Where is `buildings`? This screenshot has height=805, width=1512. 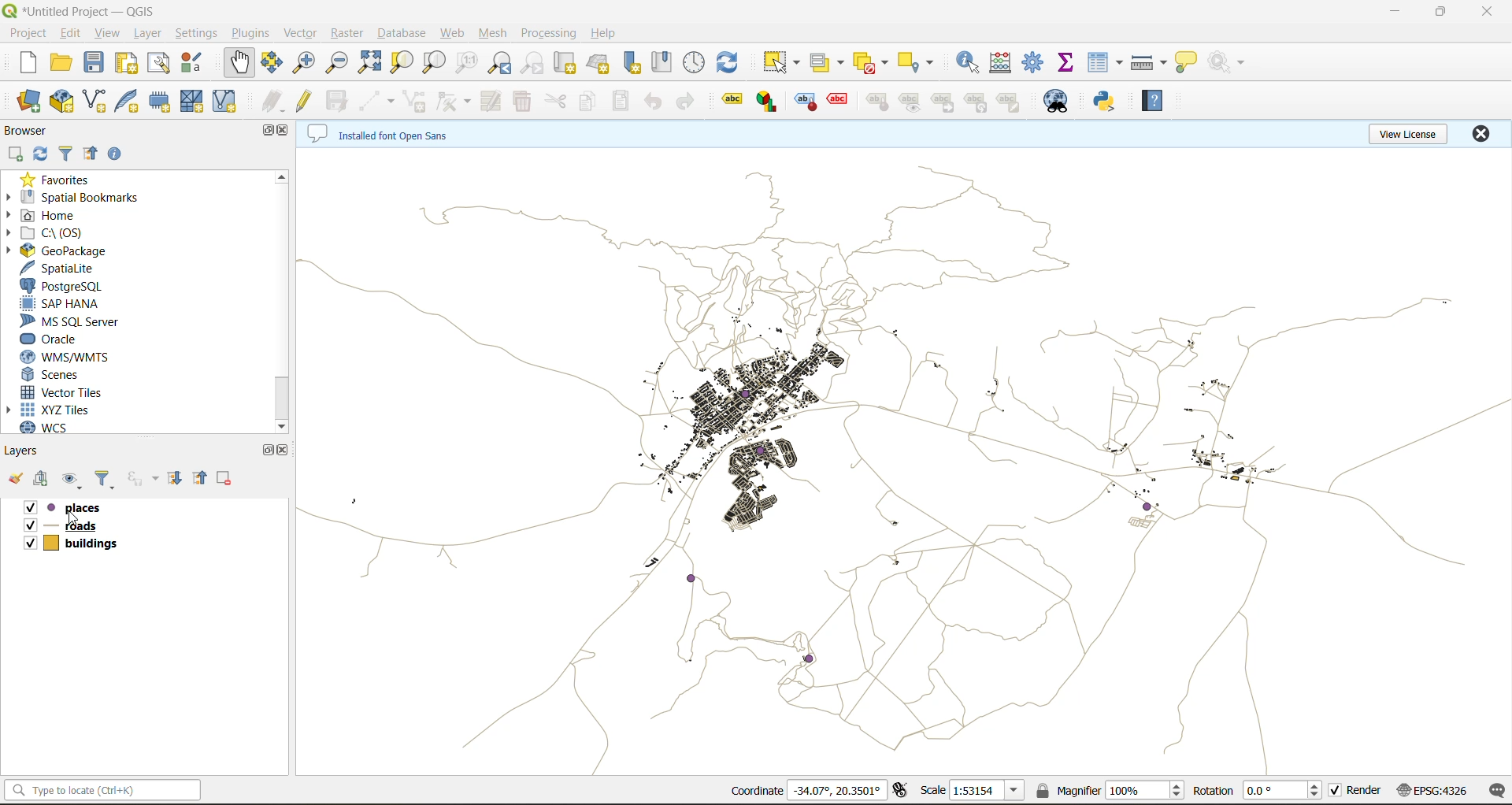
buildings is located at coordinates (81, 541).